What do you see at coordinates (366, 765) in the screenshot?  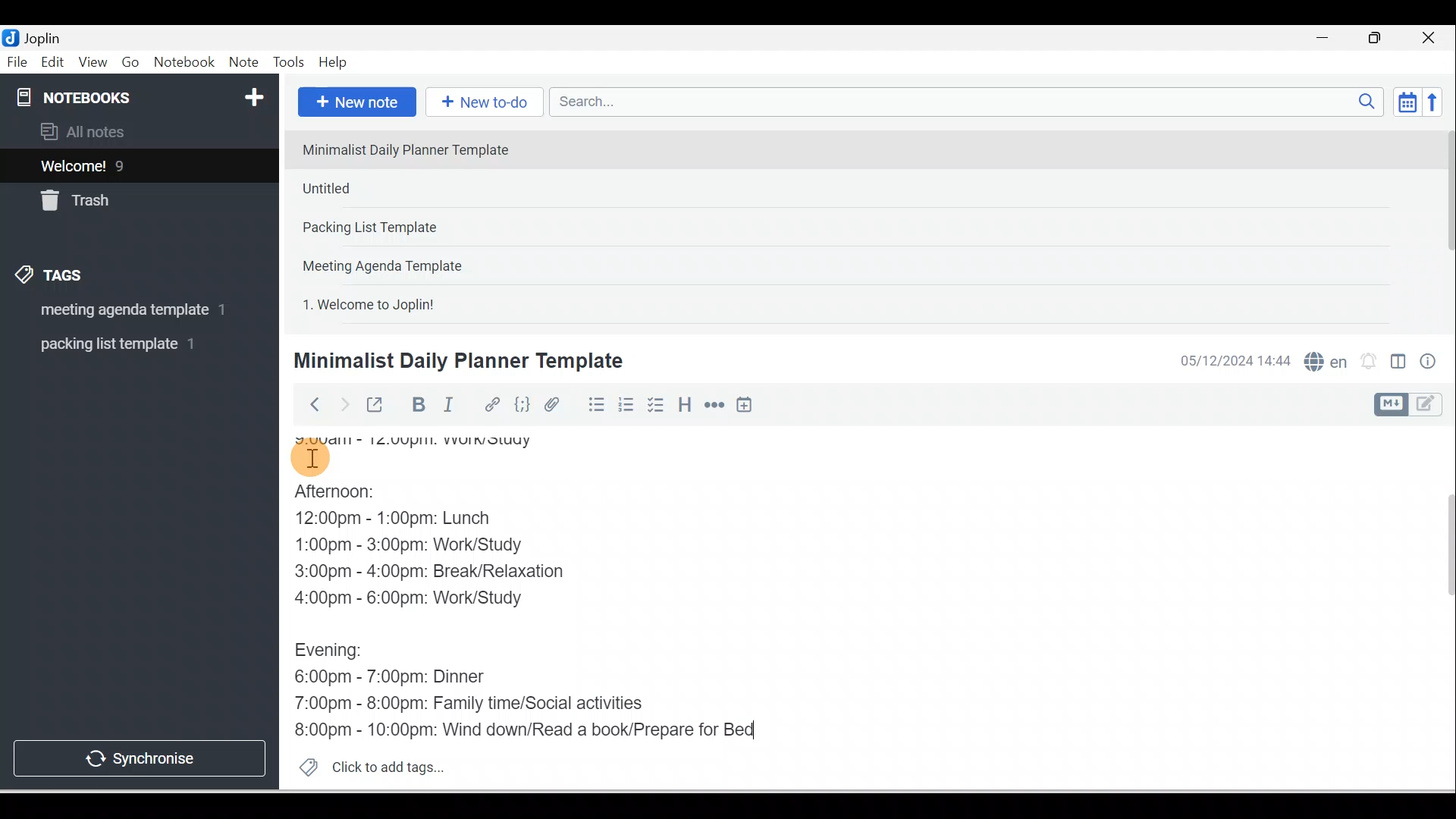 I see `Click to add tags` at bounding box center [366, 765].